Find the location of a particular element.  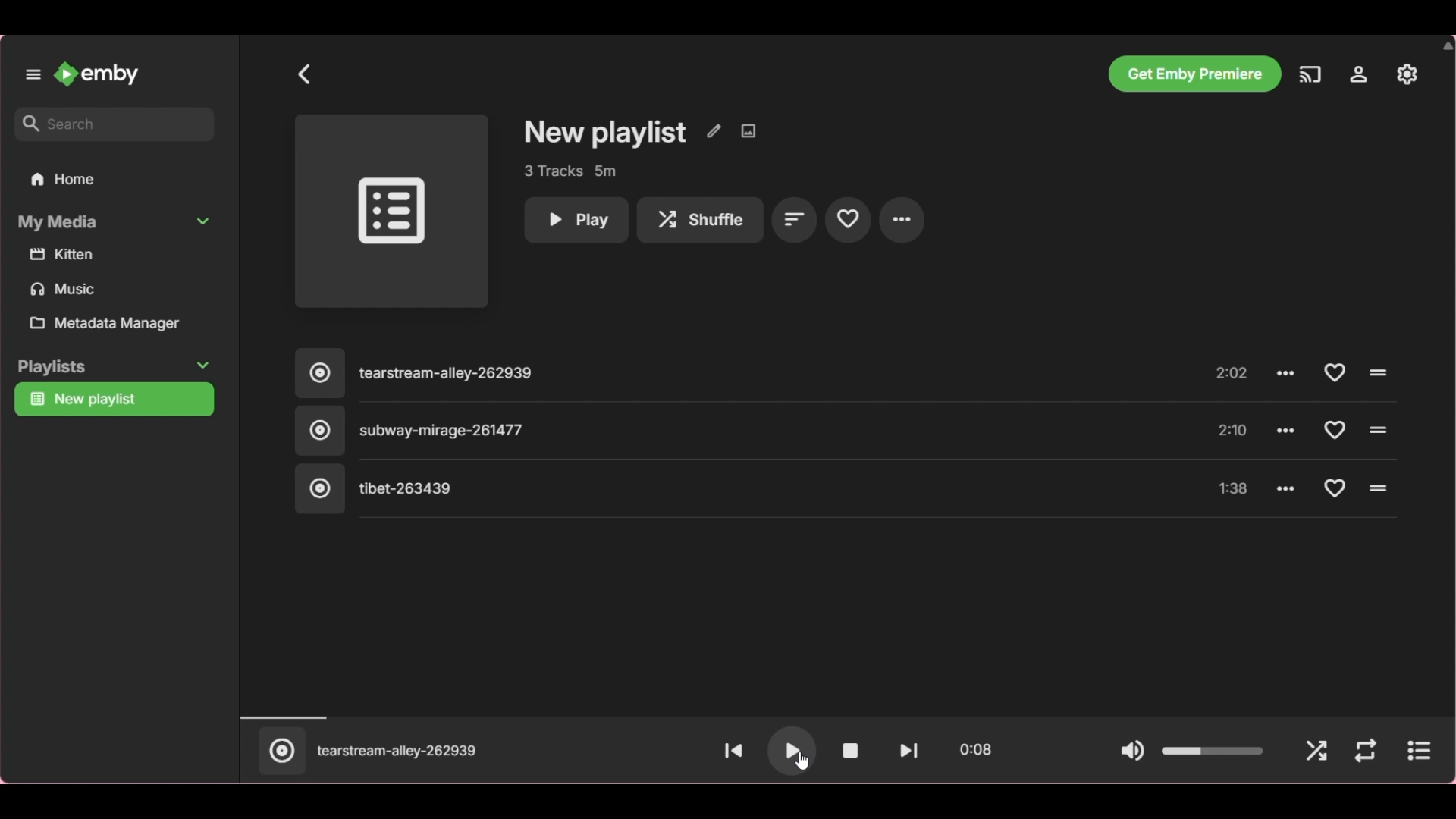

Show current song only is located at coordinates (1418, 751).